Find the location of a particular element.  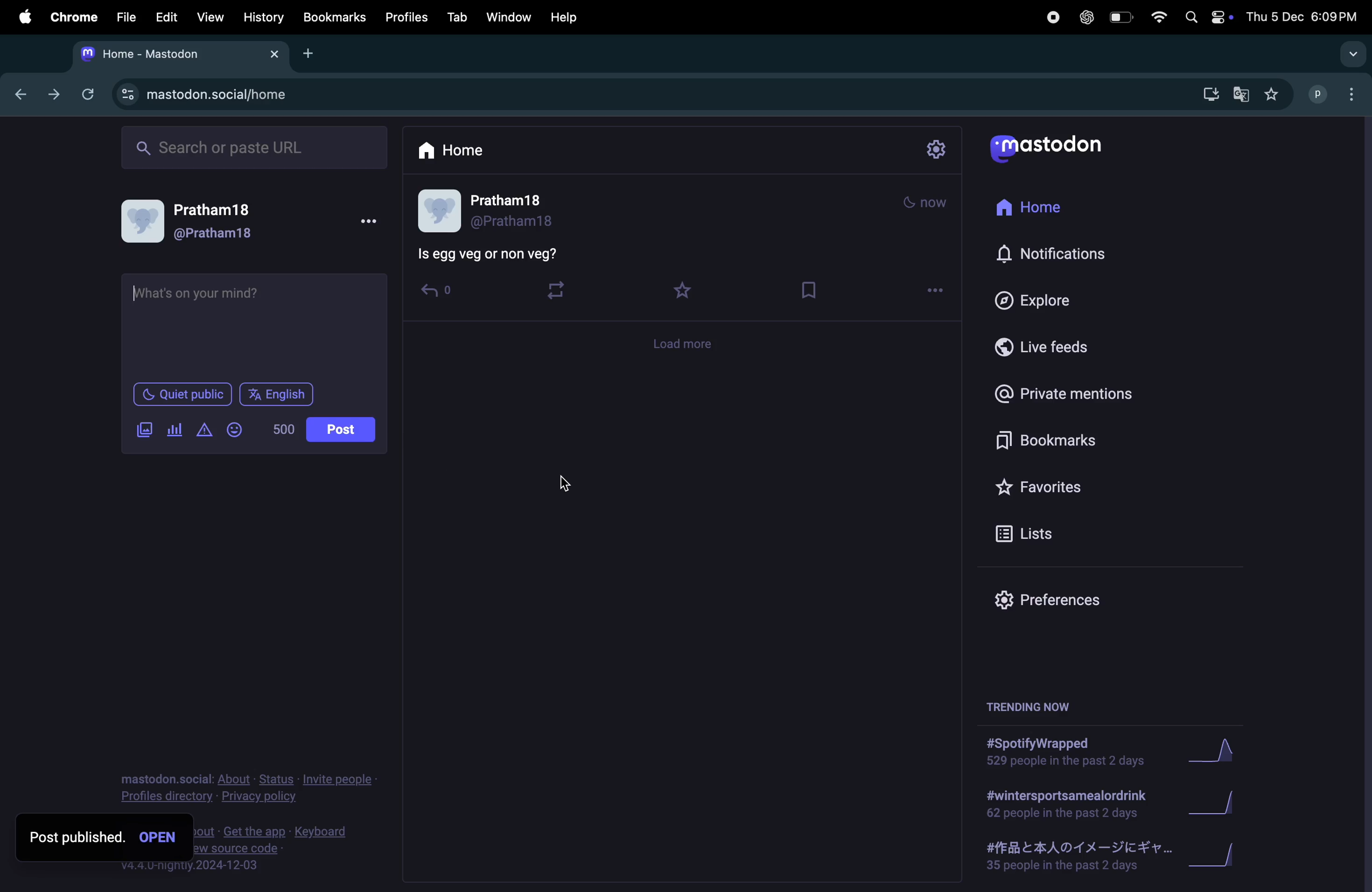

profiles is located at coordinates (406, 18).